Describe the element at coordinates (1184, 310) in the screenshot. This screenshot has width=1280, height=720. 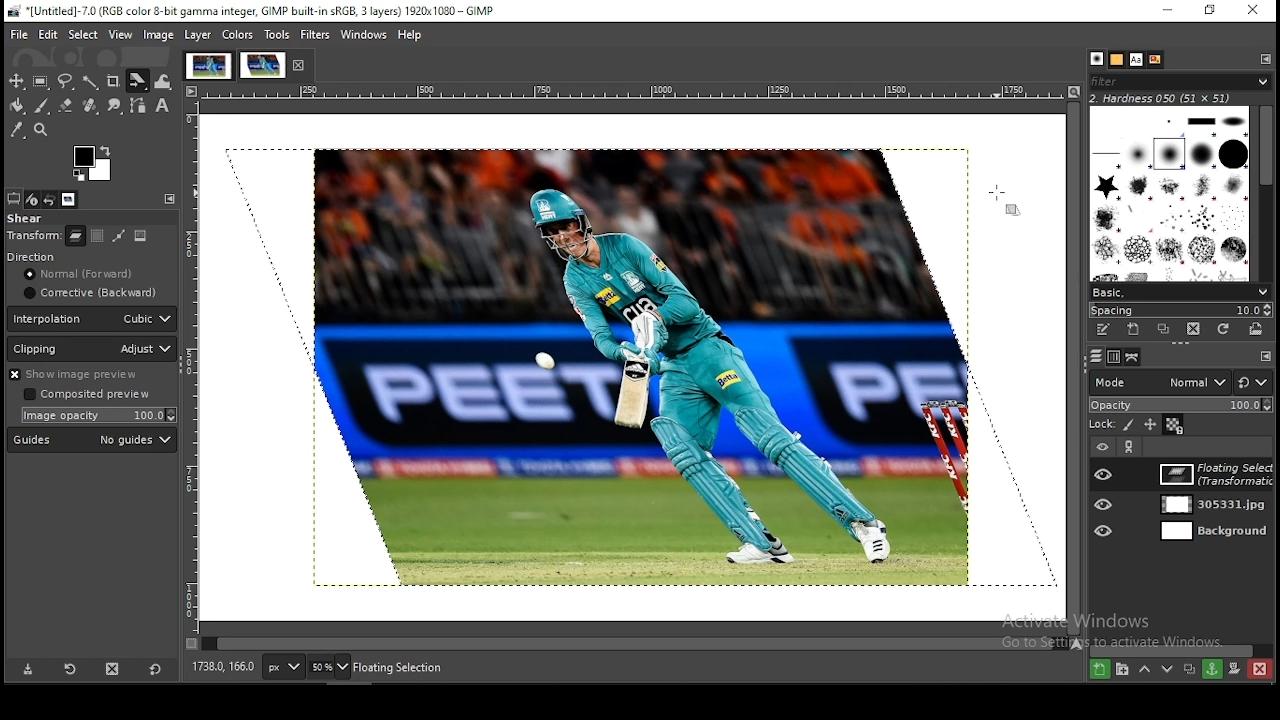
I see `spacing` at that location.